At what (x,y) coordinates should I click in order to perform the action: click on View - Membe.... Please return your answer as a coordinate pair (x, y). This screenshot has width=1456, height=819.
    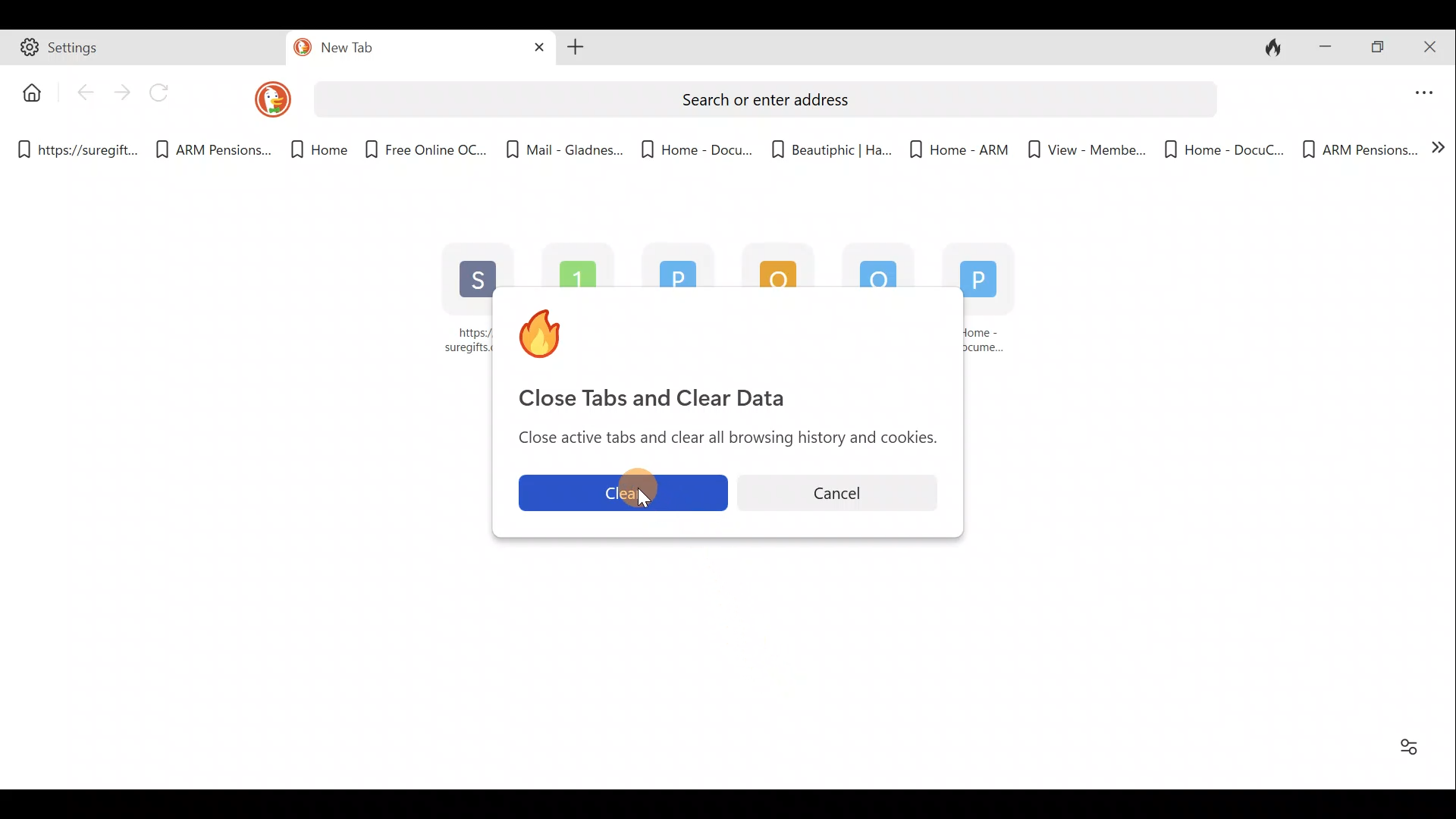
    Looking at the image, I should click on (1082, 149).